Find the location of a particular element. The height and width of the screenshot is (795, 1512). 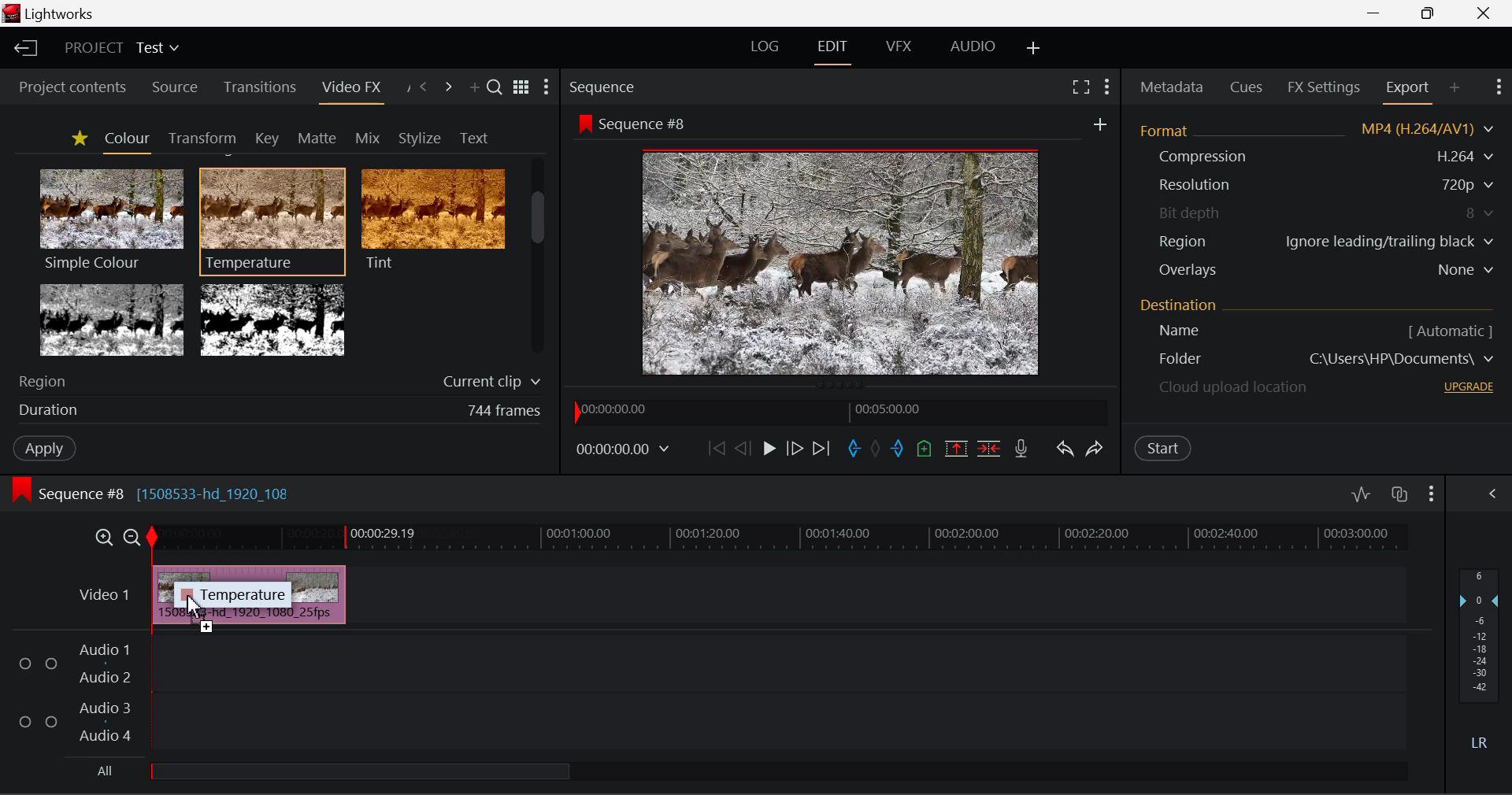

DRAG_TO Cursor Position is located at coordinates (198, 605).